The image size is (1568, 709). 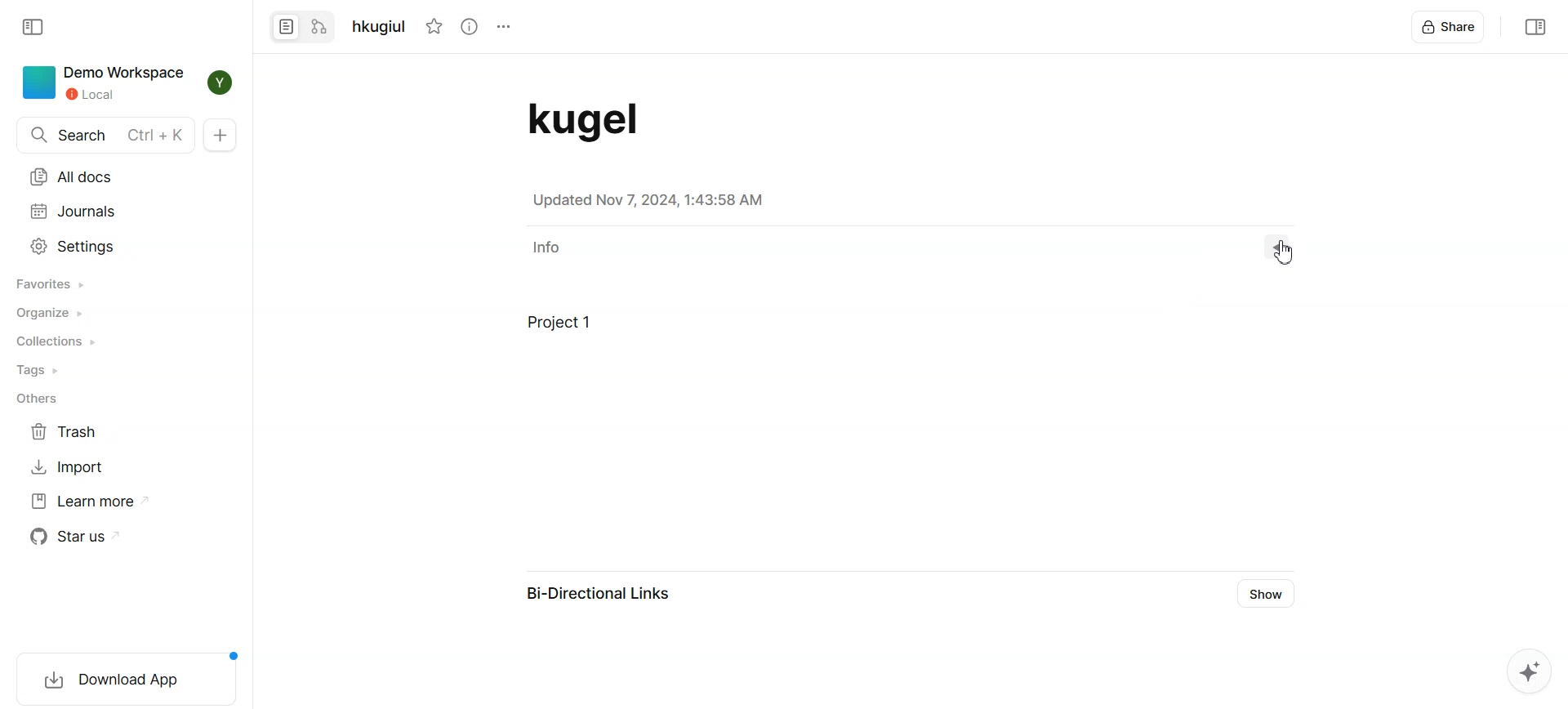 What do you see at coordinates (40, 371) in the screenshot?
I see `Tags` at bounding box center [40, 371].